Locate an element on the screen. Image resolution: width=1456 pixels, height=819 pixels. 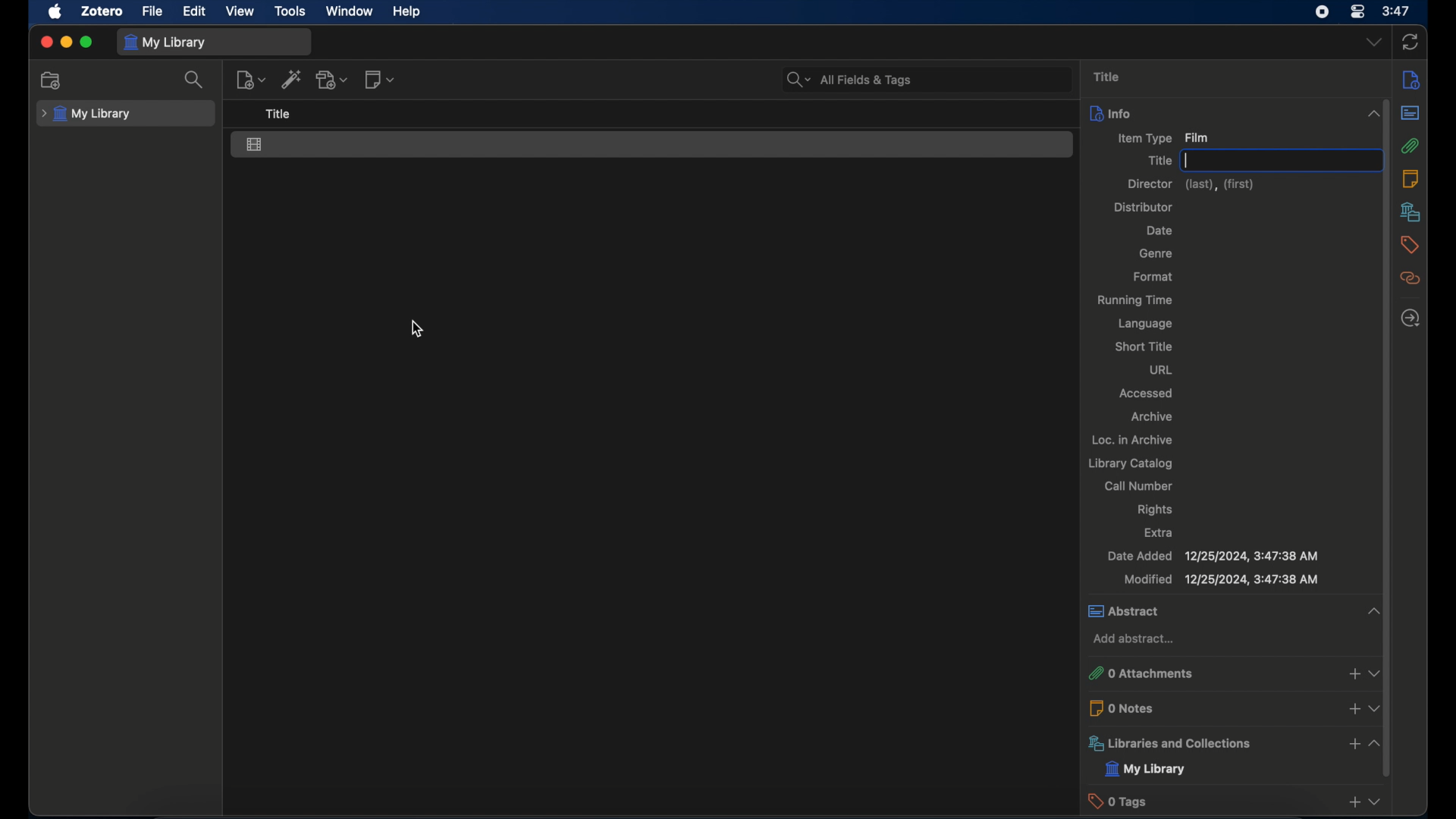
0 tags is located at coordinates (1194, 800).